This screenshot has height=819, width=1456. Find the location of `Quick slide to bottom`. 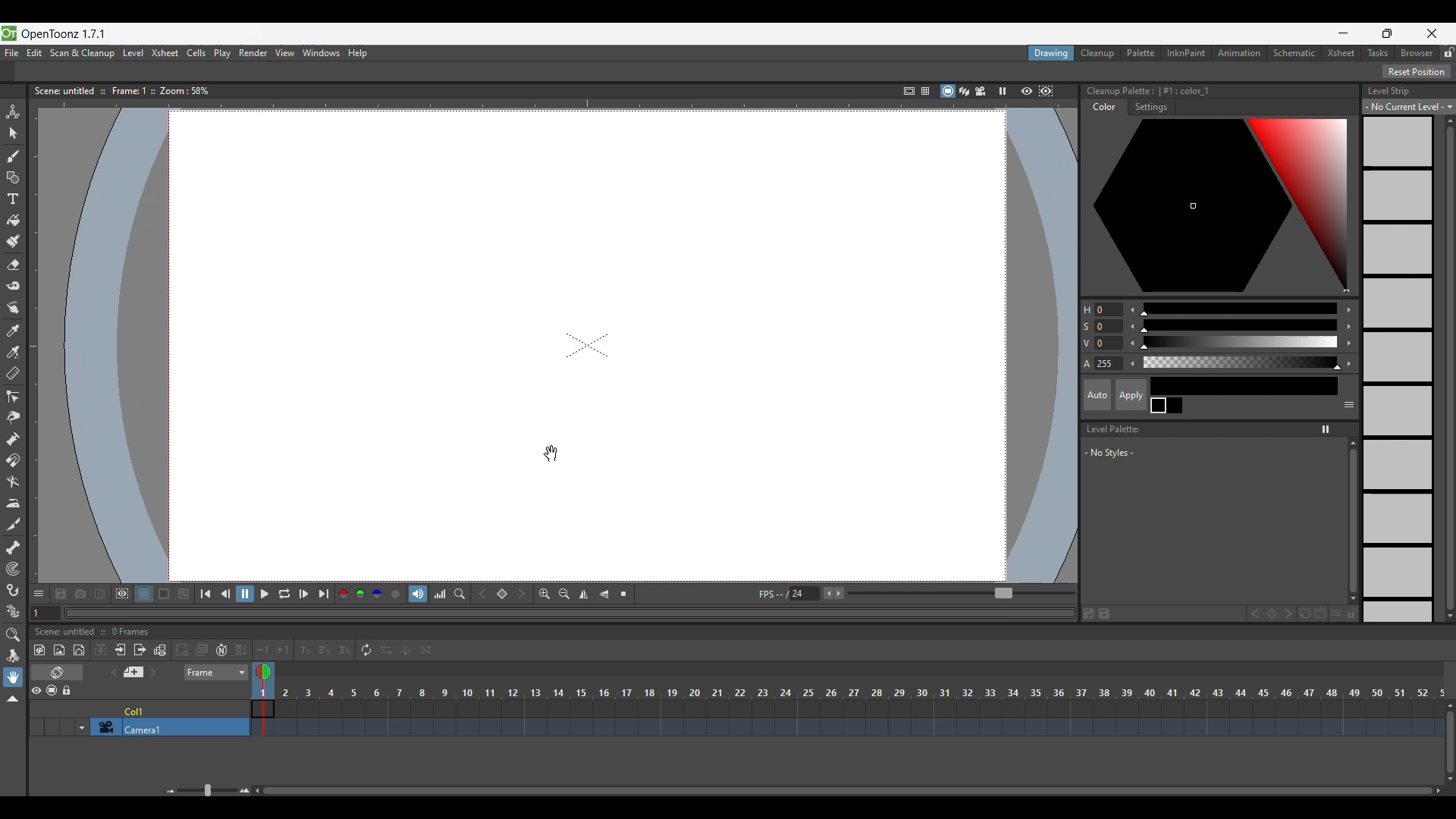

Quick slide to bottom is located at coordinates (1450, 617).